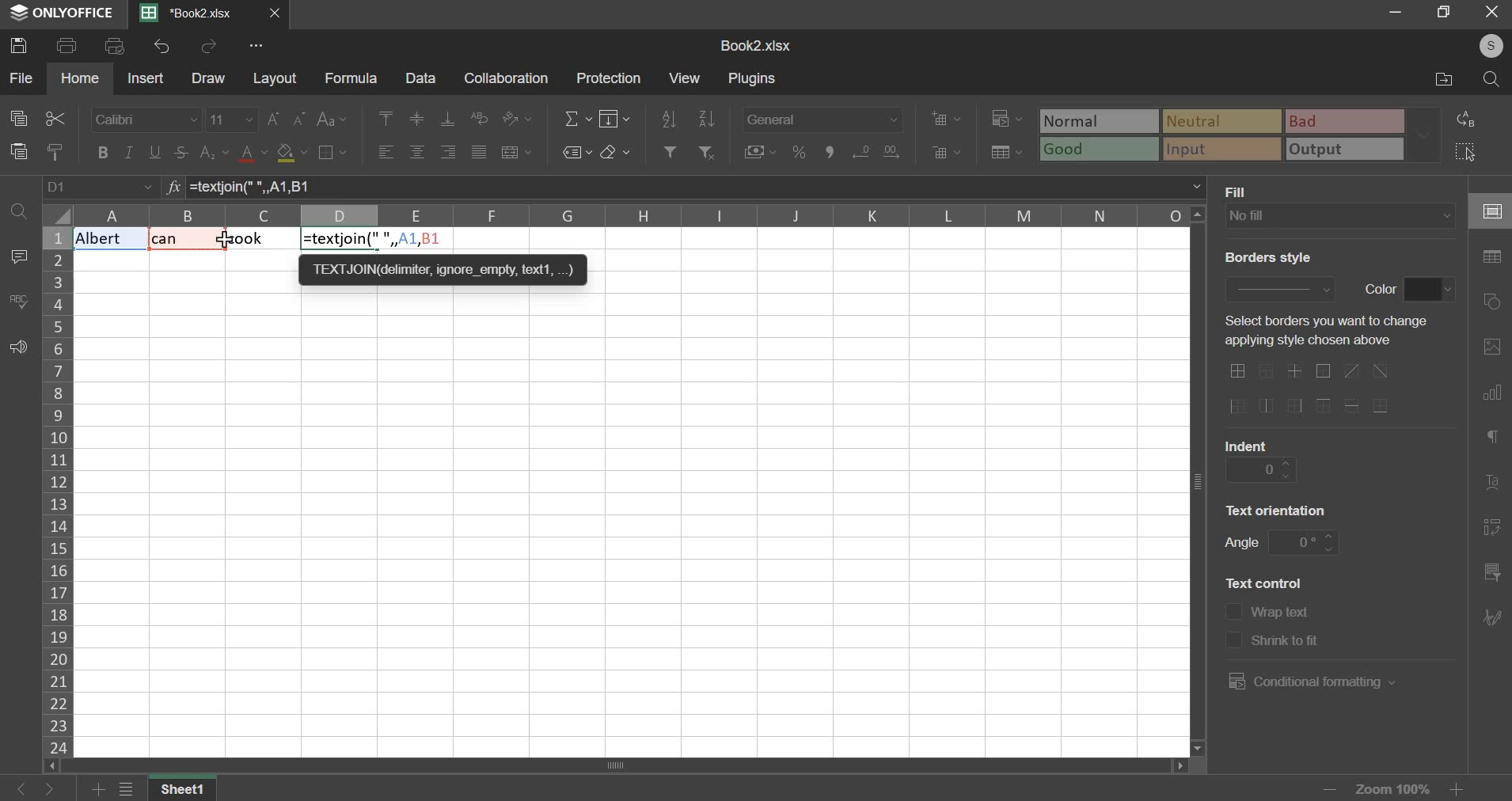 The width and height of the screenshot is (1512, 801). I want to click on merge & center, so click(517, 152).